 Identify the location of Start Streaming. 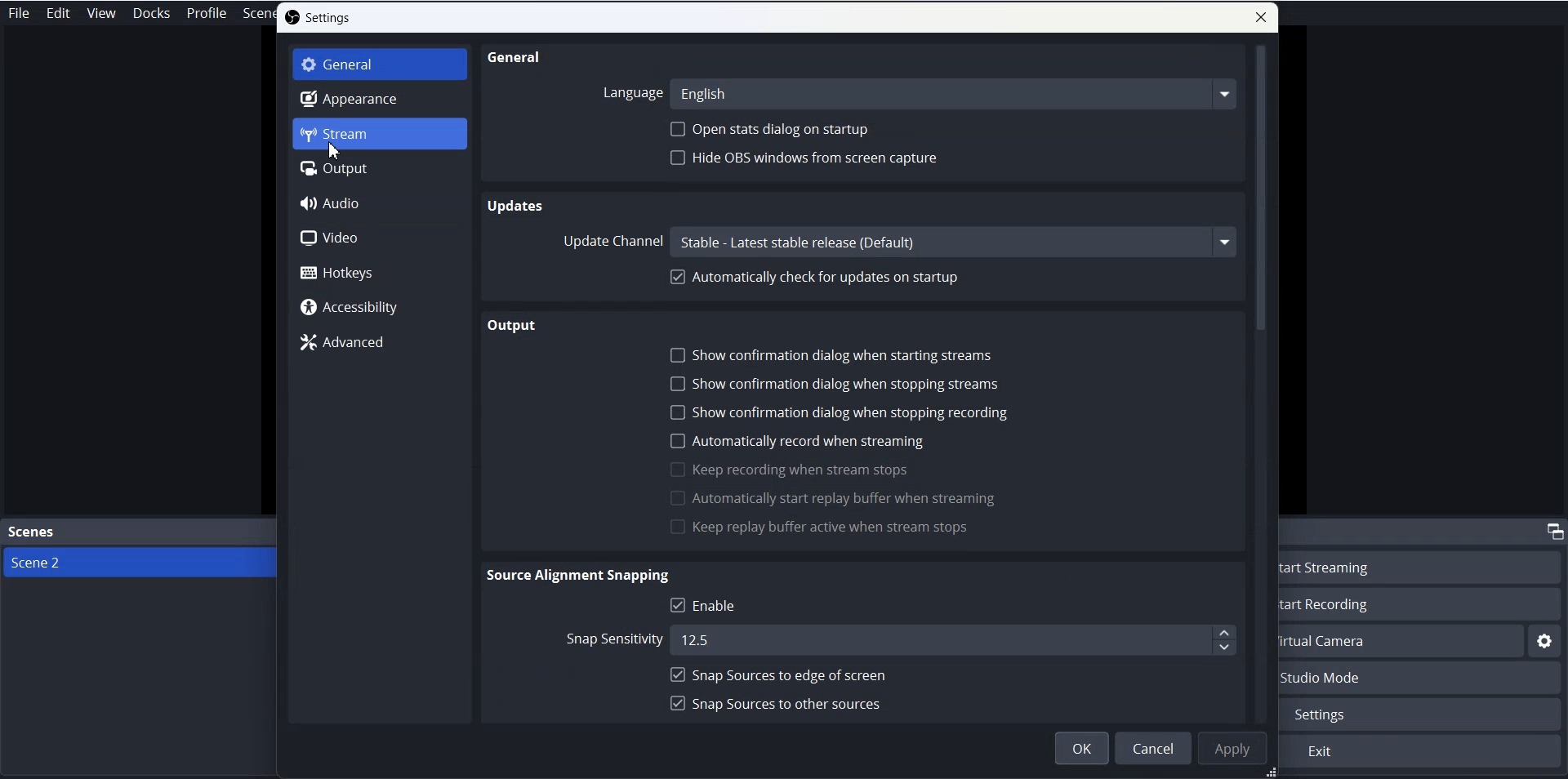
(1424, 566).